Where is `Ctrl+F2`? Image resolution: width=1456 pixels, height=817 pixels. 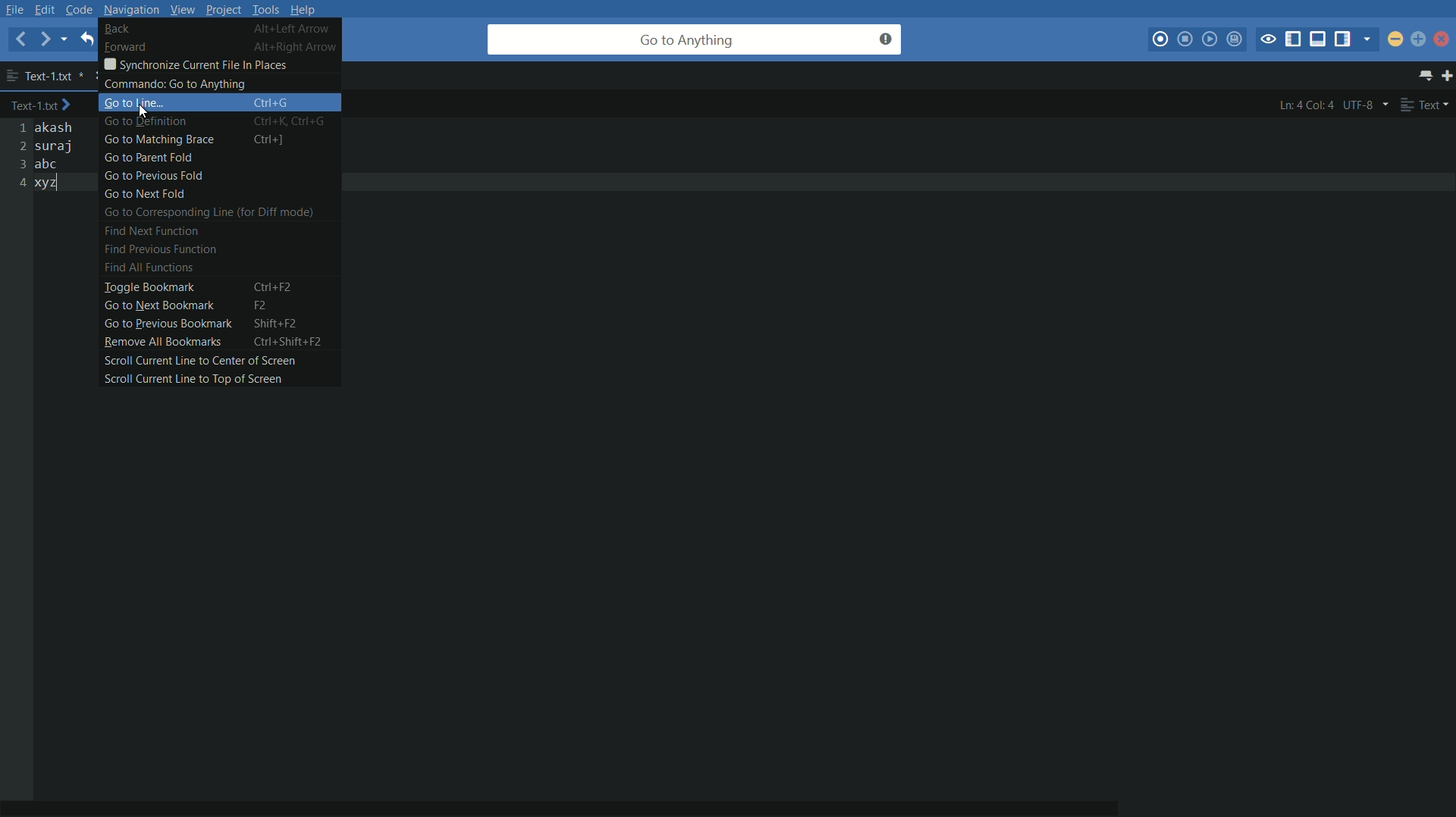 Ctrl+F2 is located at coordinates (280, 286).